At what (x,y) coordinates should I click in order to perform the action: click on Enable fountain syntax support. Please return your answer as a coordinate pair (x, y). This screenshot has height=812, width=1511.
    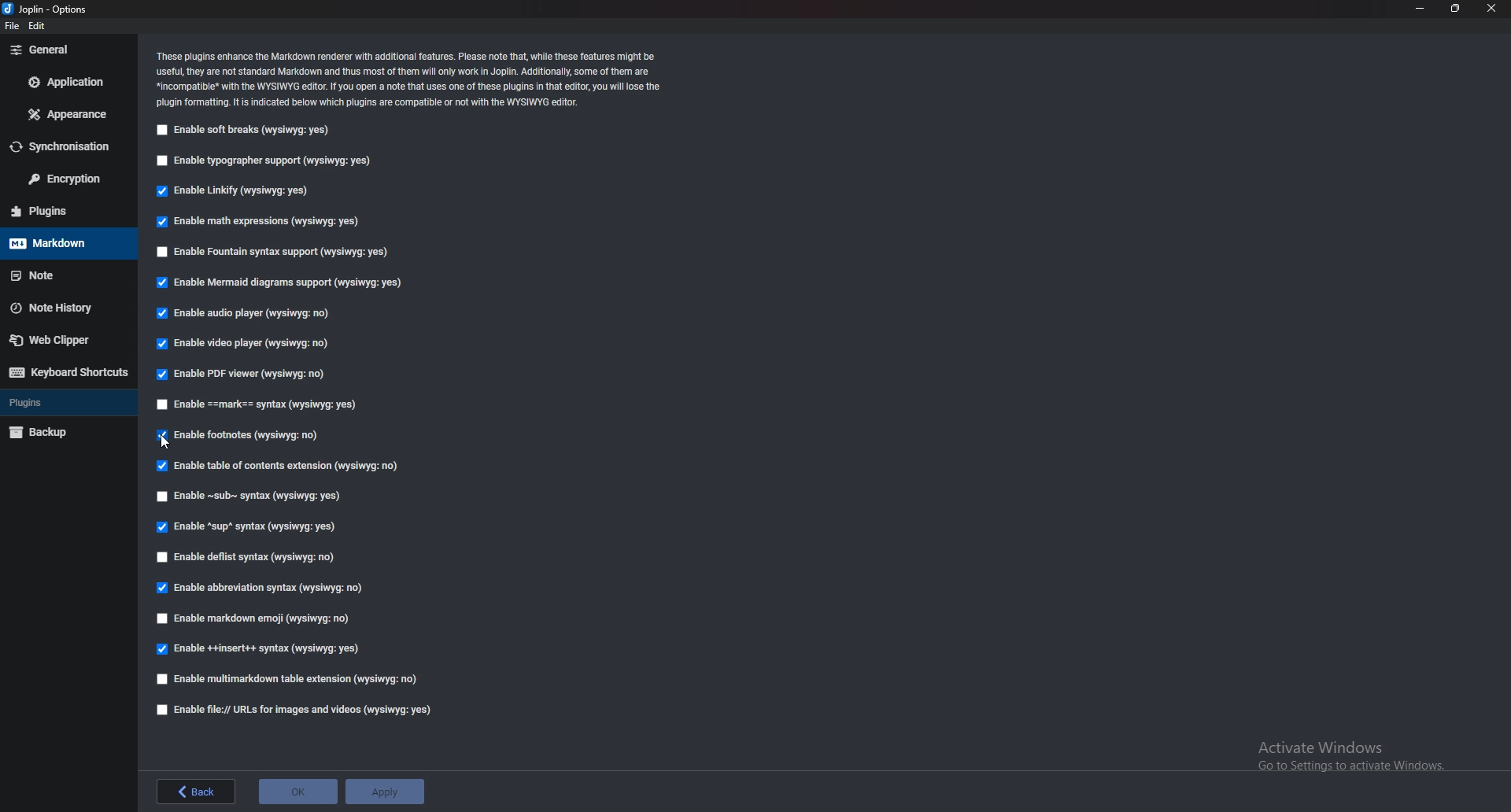
    Looking at the image, I should click on (275, 251).